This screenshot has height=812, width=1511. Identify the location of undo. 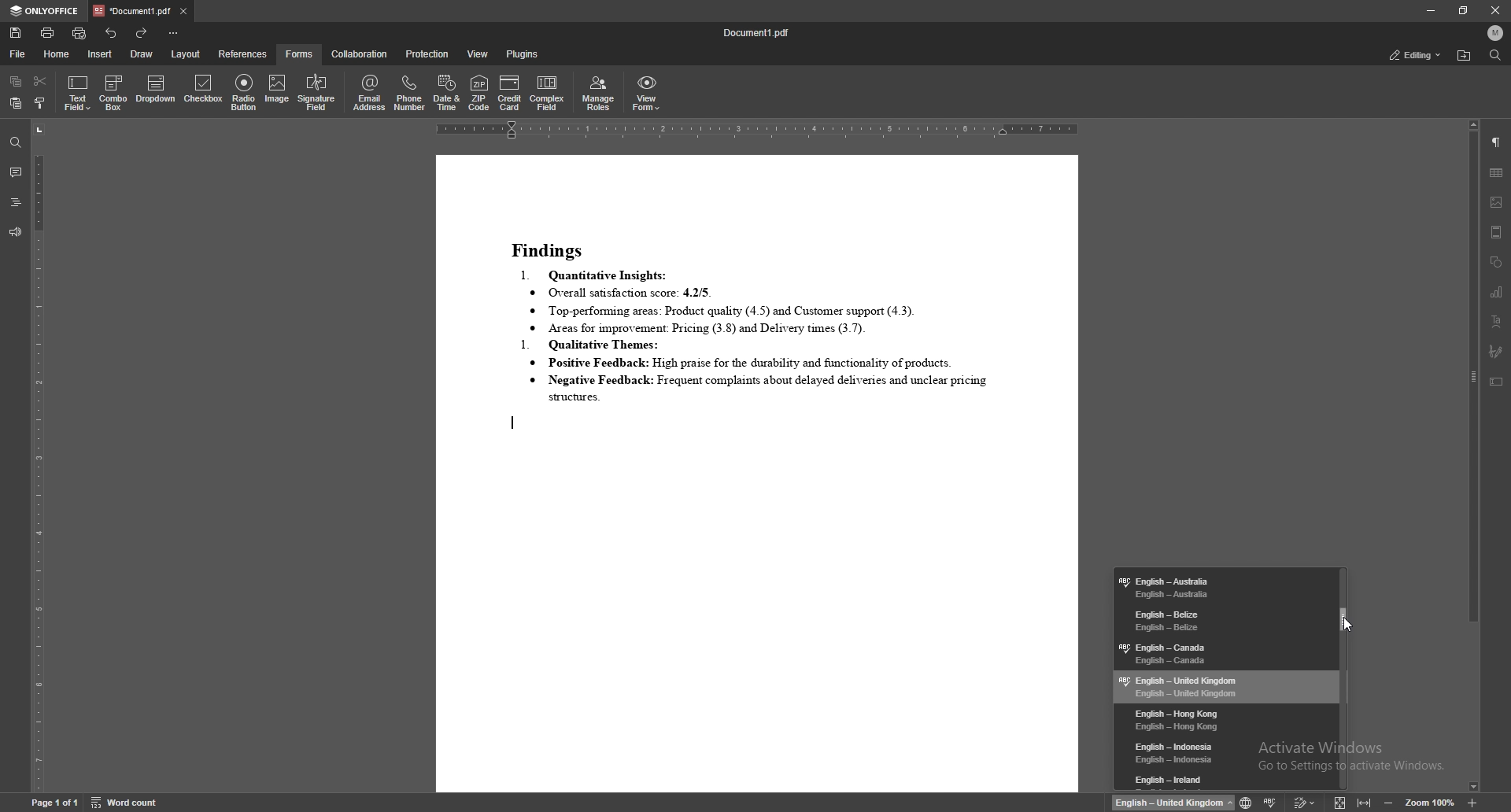
(112, 33).